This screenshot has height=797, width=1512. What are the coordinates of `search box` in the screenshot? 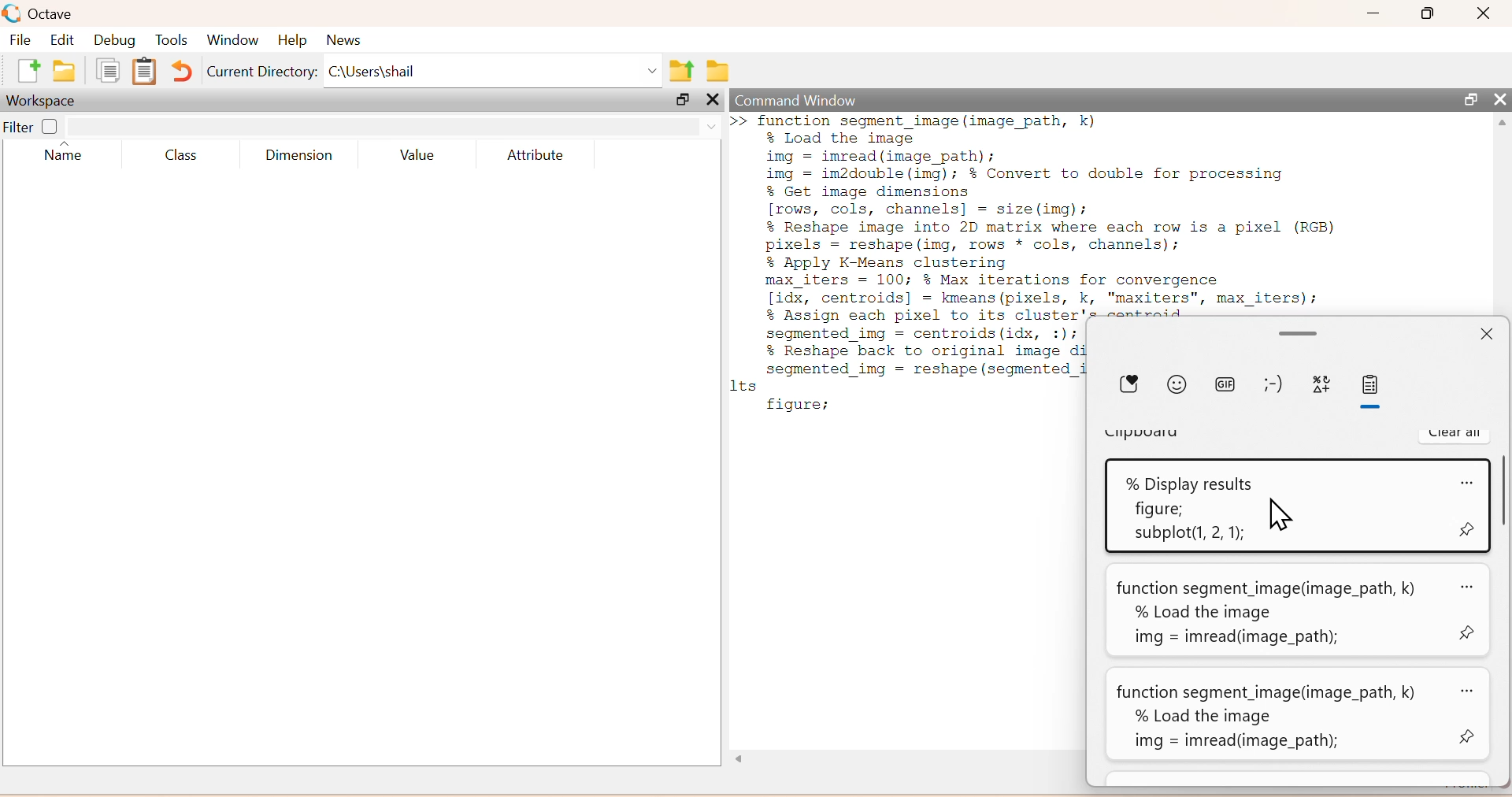 It's located at (382, 126).